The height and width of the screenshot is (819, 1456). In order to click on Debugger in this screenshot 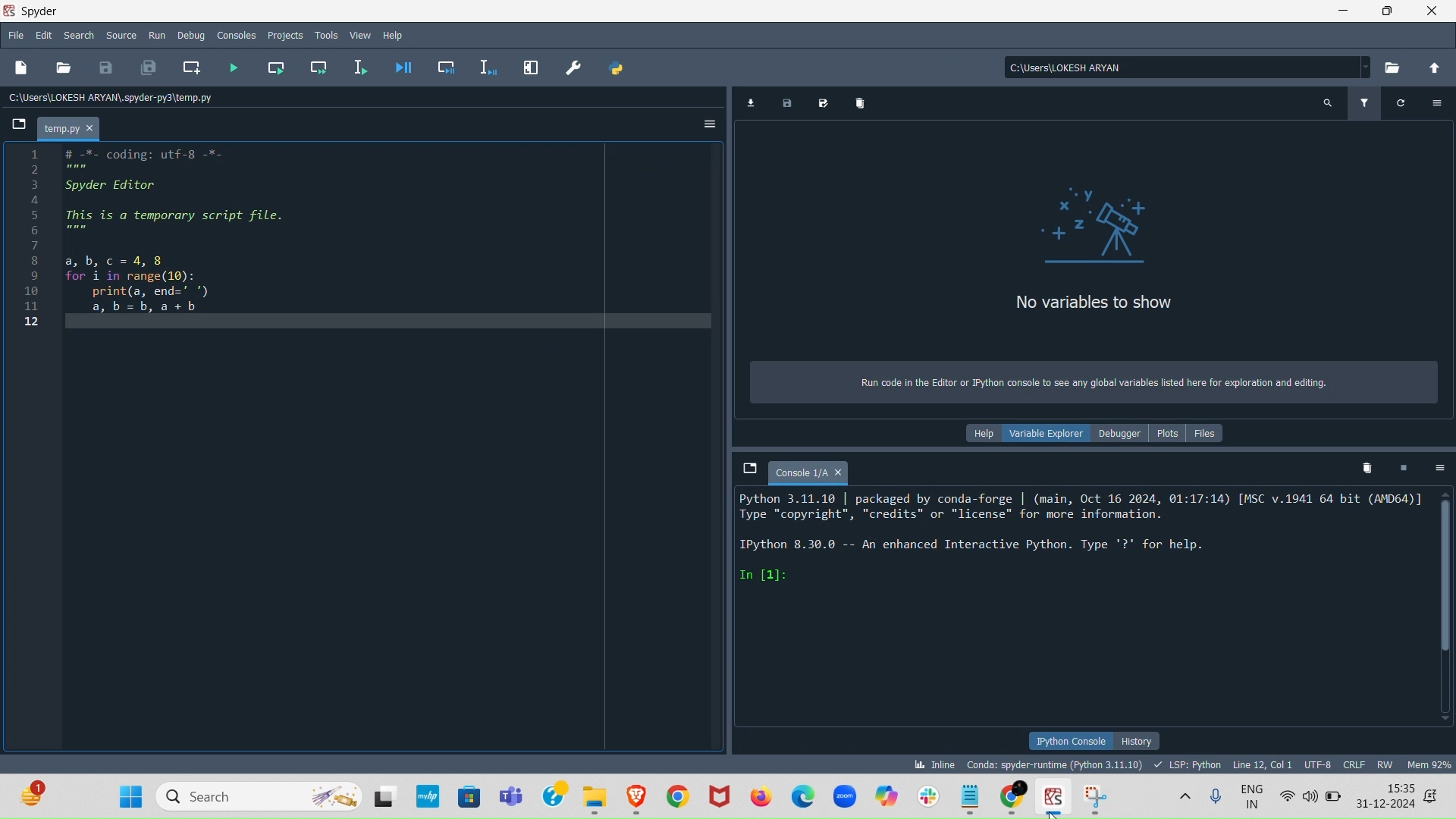, I will do `click(1122, 434)`.